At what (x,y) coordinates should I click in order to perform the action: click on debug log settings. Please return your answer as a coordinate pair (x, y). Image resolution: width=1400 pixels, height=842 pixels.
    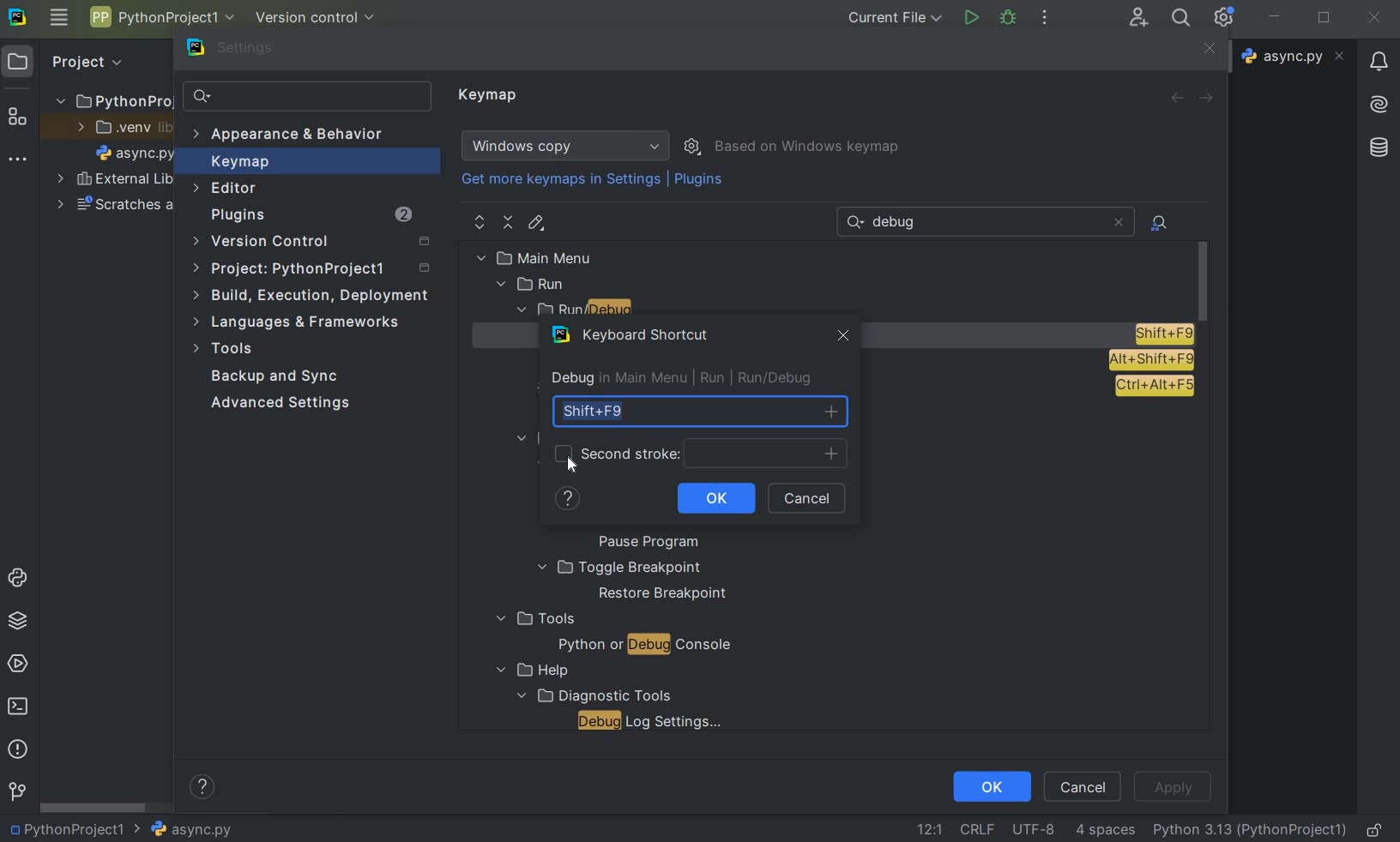
    Looking at the image, I should click on (655, 721).